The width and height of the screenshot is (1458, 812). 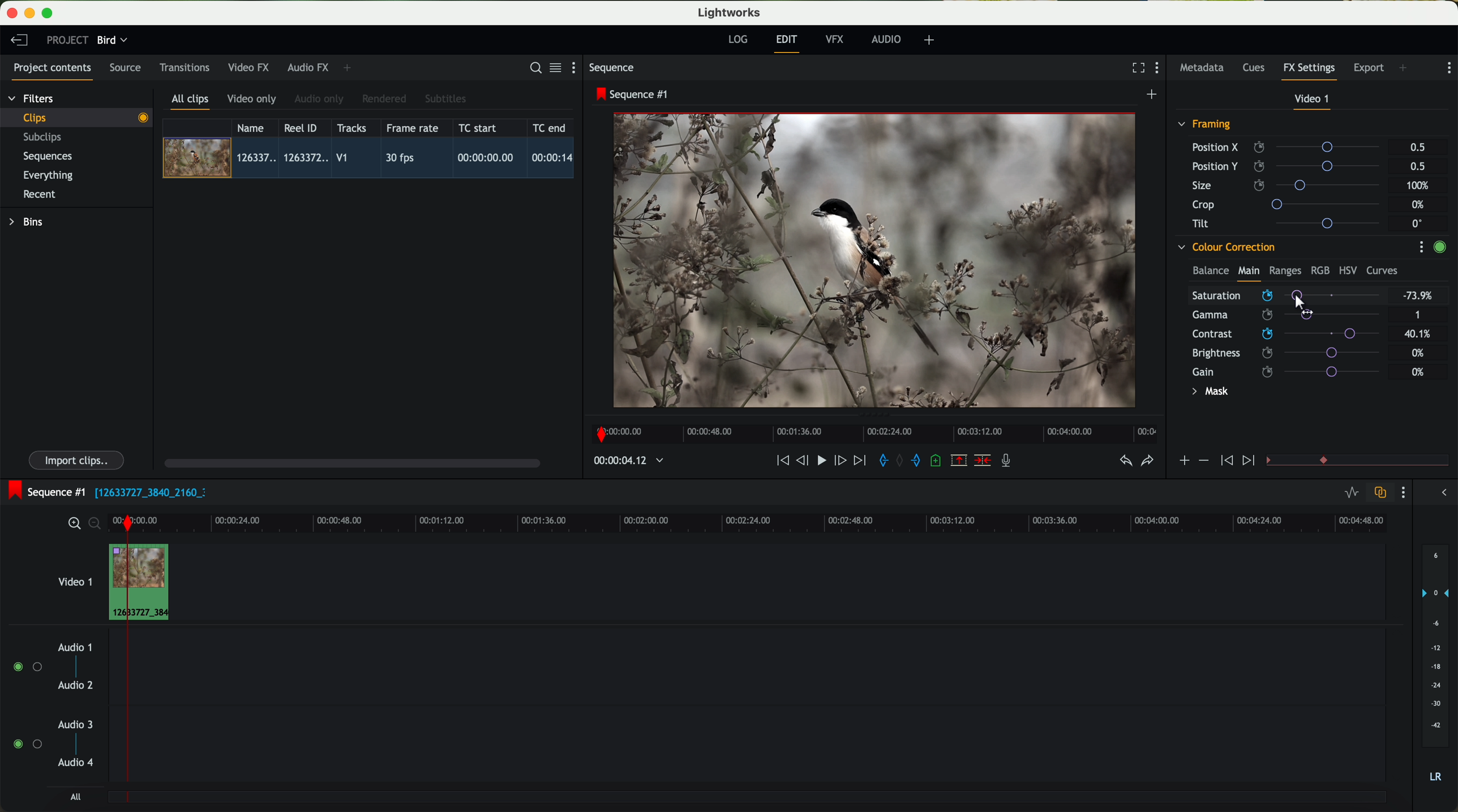 I want to click on zoom in, so click(x=72, y=524).